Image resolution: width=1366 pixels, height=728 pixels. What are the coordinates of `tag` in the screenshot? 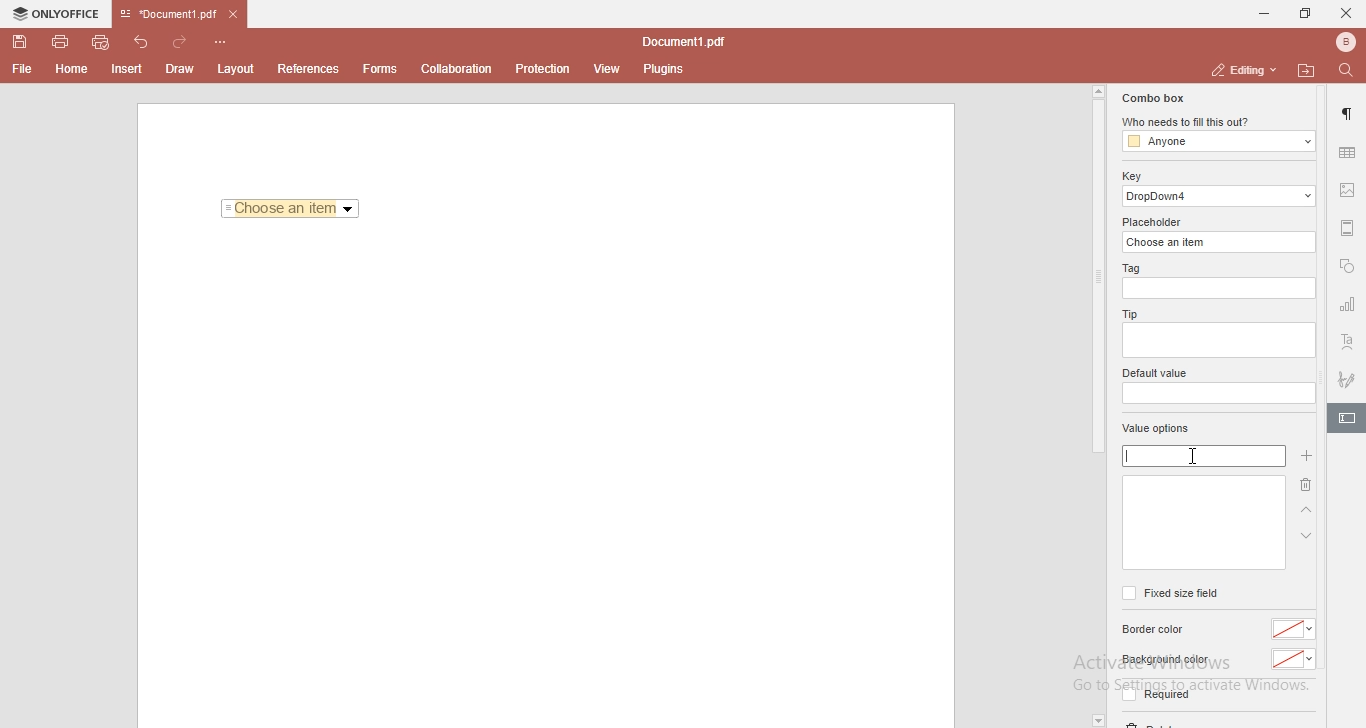 It's located at (1129, 269).